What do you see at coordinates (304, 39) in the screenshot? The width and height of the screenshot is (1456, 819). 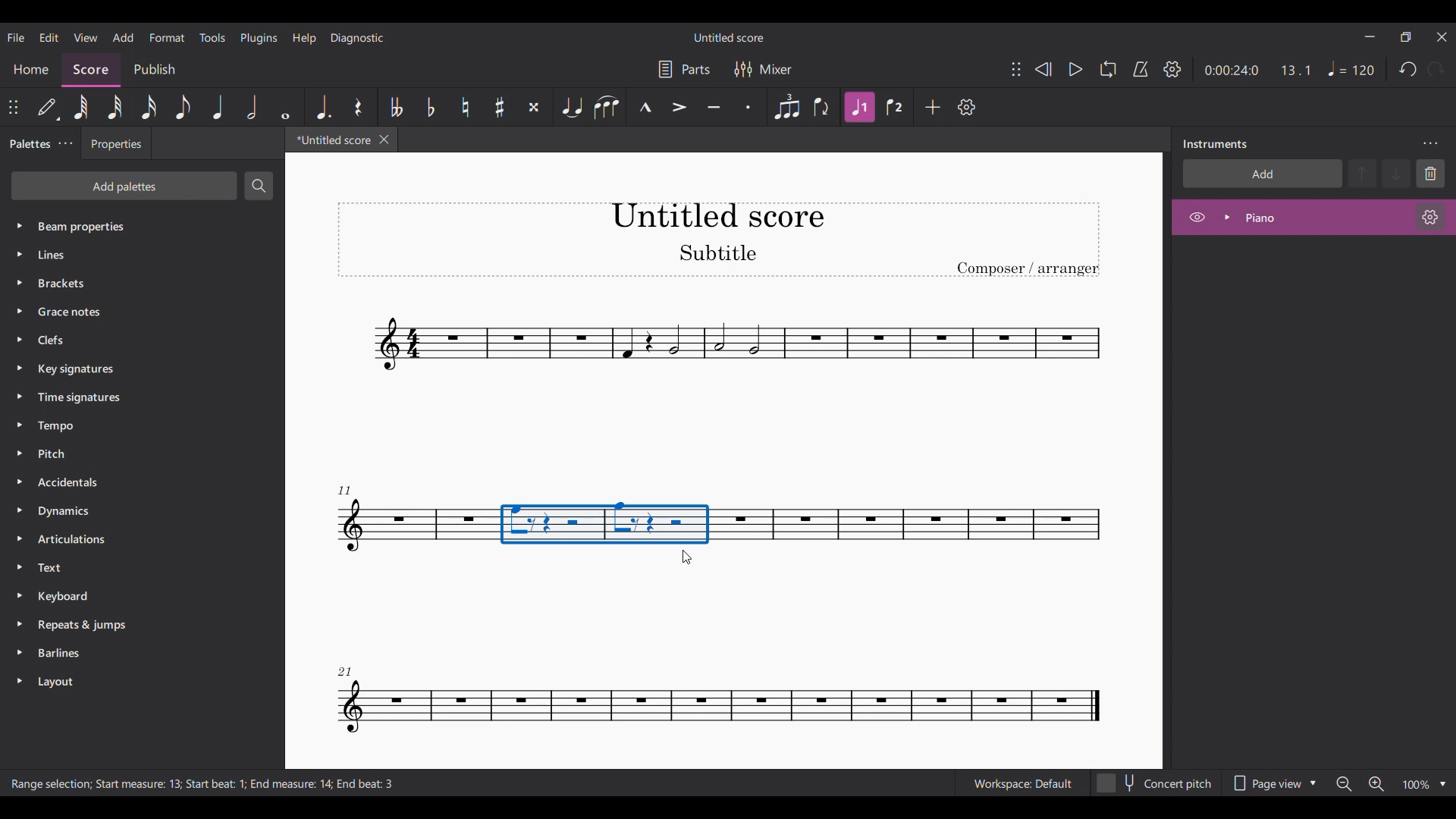 I see `Help menu` at bounding box center [304, 39].